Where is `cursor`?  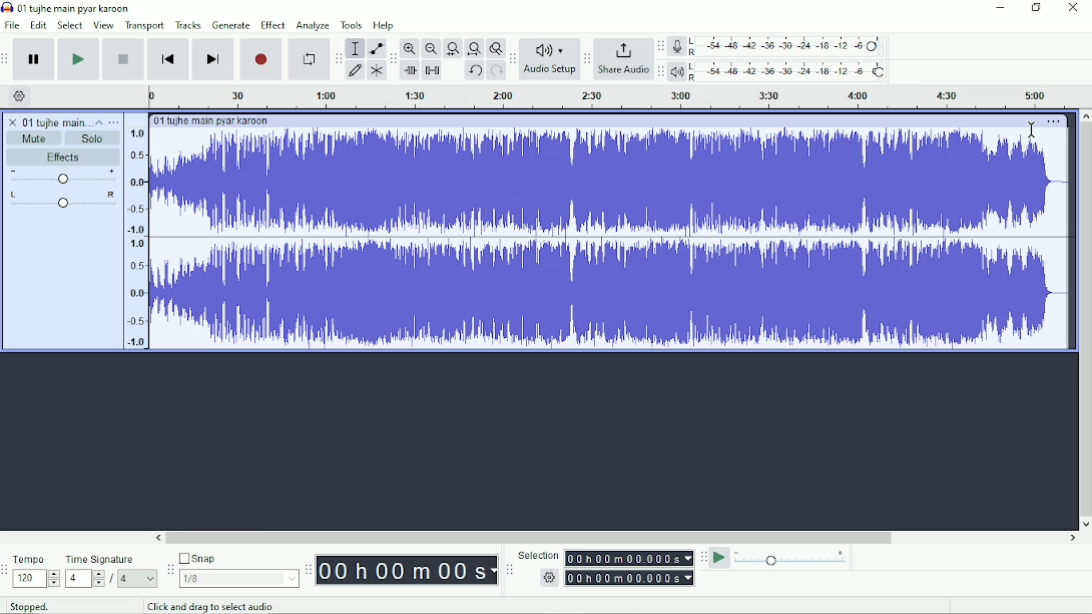 cursor is located at coordinates (1033, 129).